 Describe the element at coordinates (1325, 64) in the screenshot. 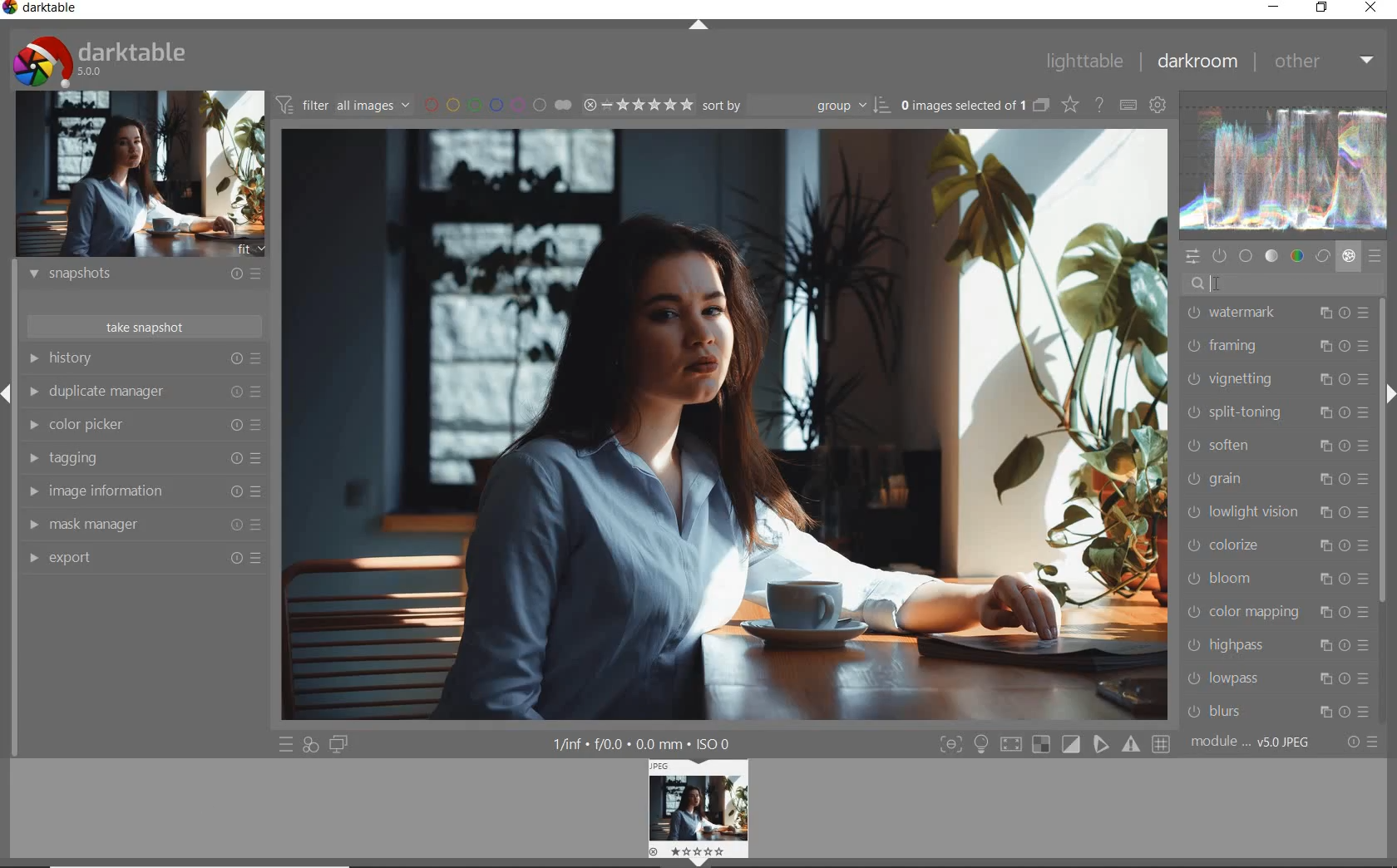

I see `other` at that location.